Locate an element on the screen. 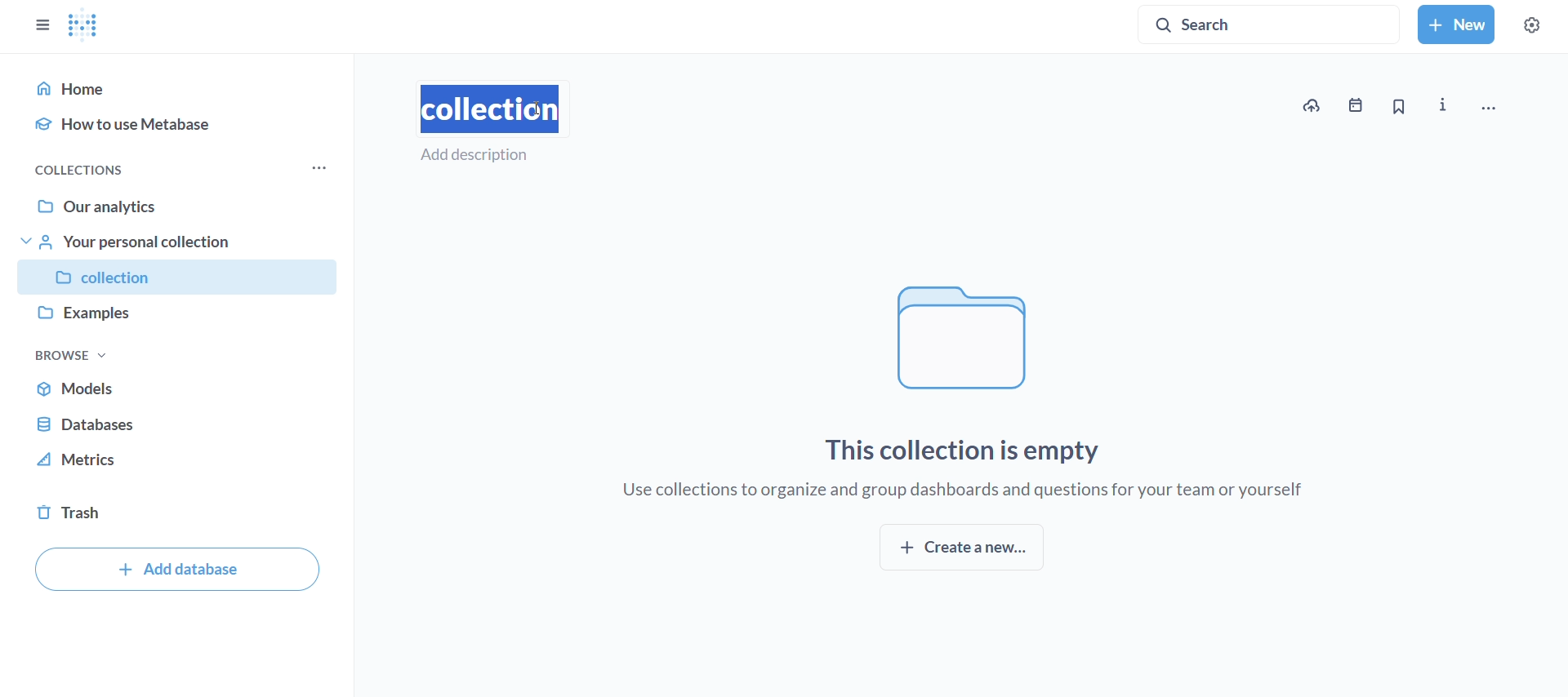 The width and height of the screenshot is (1568, 697). events is located at coordinates (1359, 105).